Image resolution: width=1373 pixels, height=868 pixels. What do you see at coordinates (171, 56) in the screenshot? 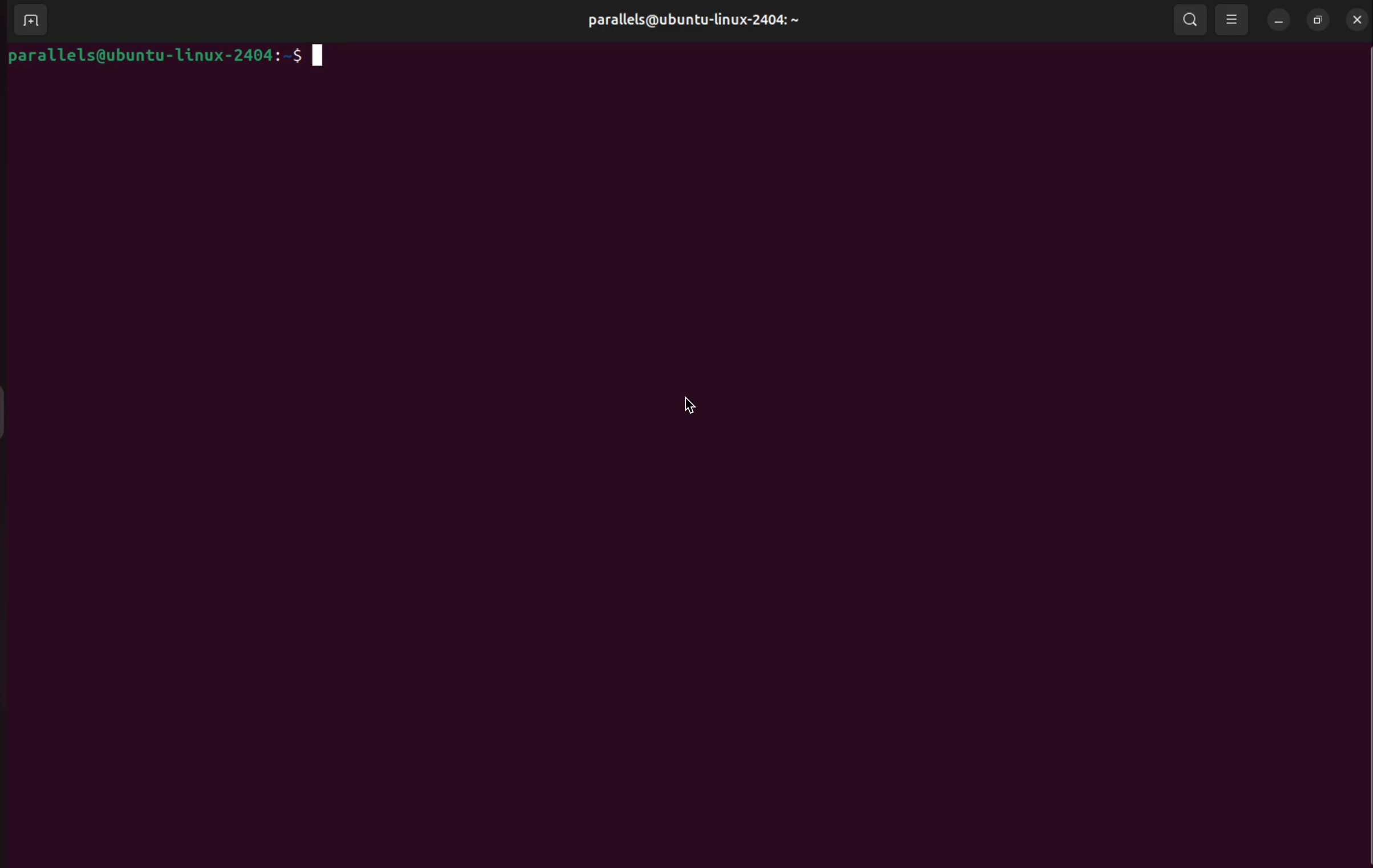
I see `parallels@ubuntu-linux-2404:~$` at bounding box center [171, 56].